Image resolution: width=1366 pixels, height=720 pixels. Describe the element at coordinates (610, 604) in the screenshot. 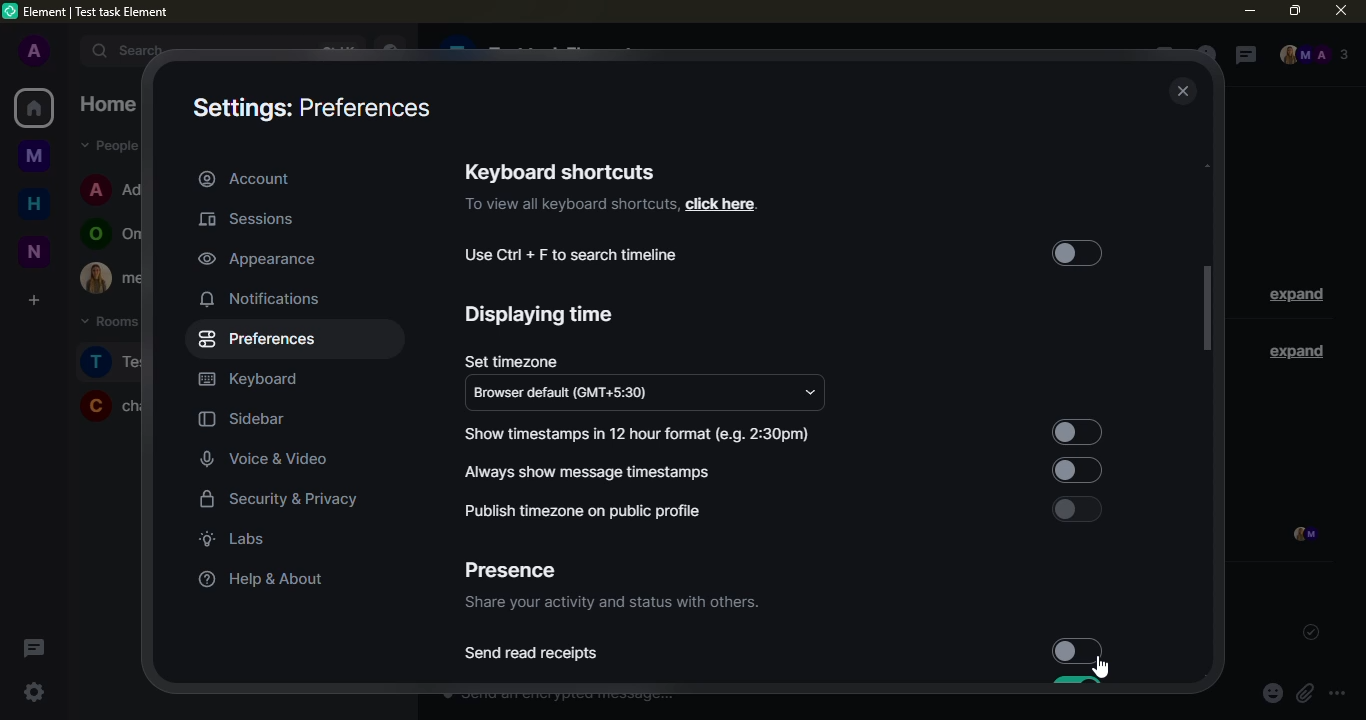

I see `info` at that location.